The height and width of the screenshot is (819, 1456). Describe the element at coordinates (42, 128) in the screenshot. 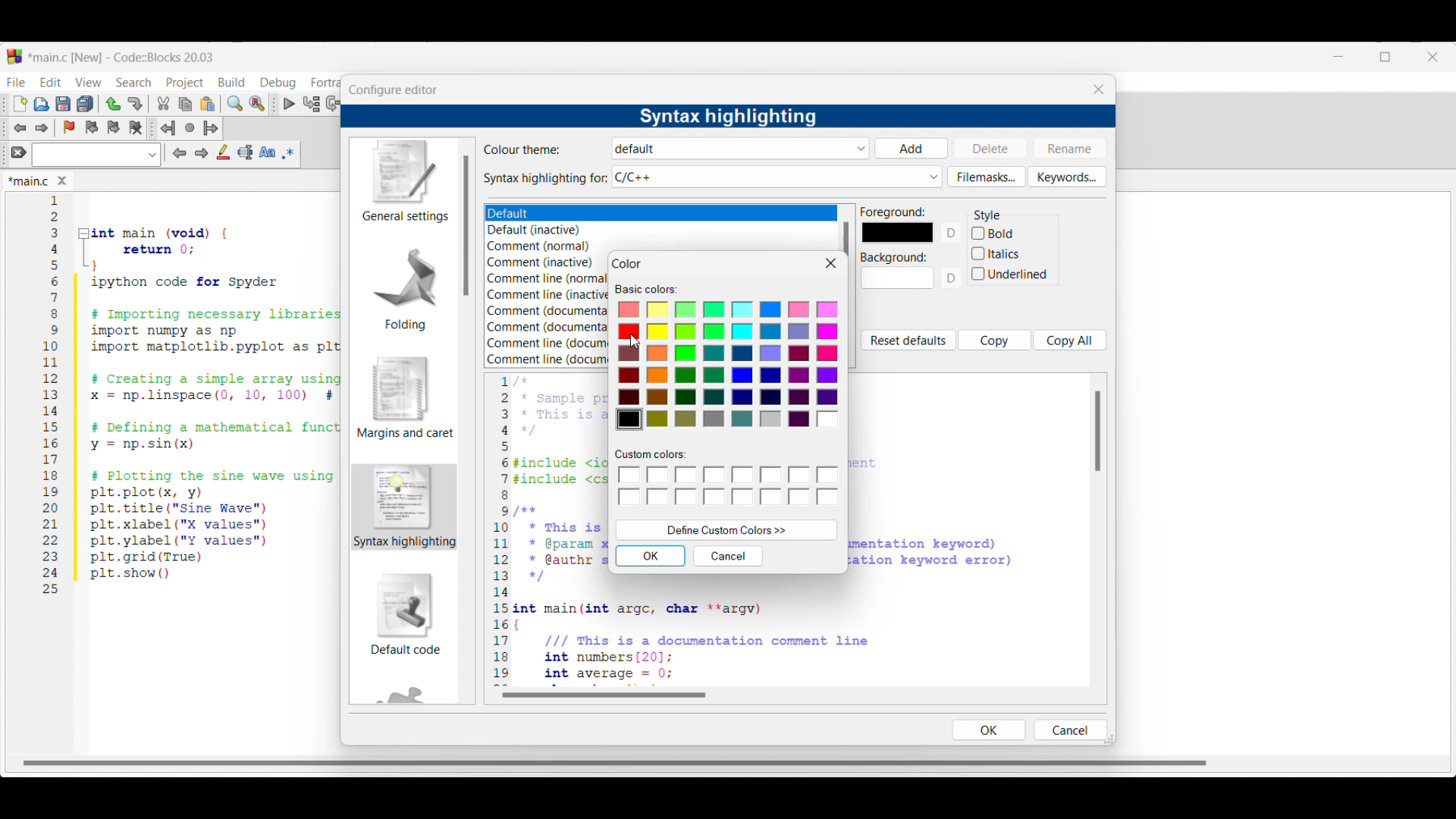

I see `Toggle forward` at that location.